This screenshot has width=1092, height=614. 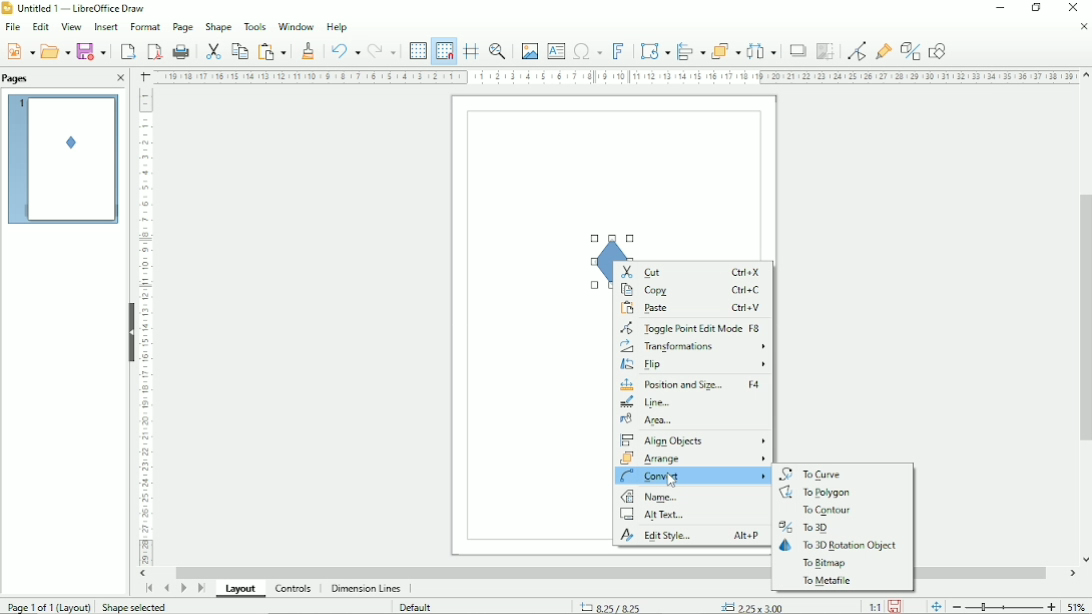 What do you see at coordinates (126, 50) in the screenshot?
I see `Export` at bounding box center [126, 50].